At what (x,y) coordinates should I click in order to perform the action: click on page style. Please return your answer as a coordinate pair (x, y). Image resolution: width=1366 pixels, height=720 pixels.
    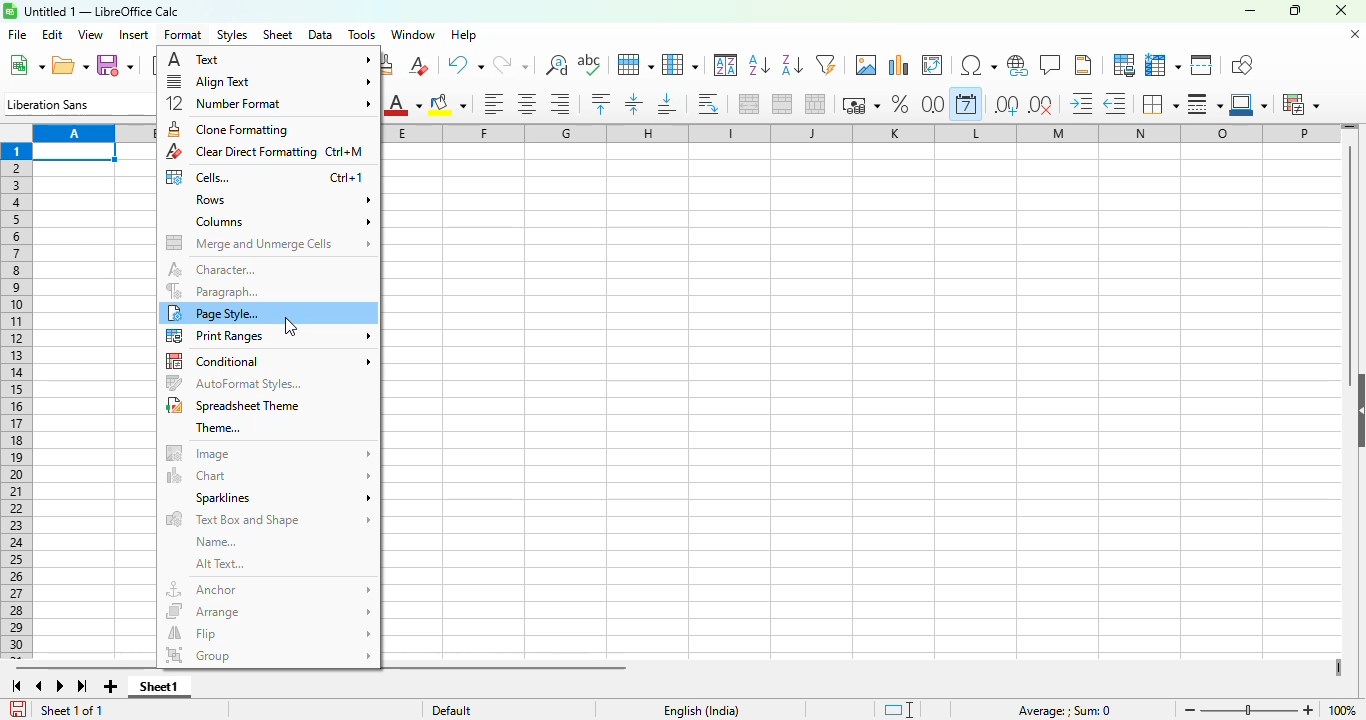
    Looking at the image, I should click on (217, 313).